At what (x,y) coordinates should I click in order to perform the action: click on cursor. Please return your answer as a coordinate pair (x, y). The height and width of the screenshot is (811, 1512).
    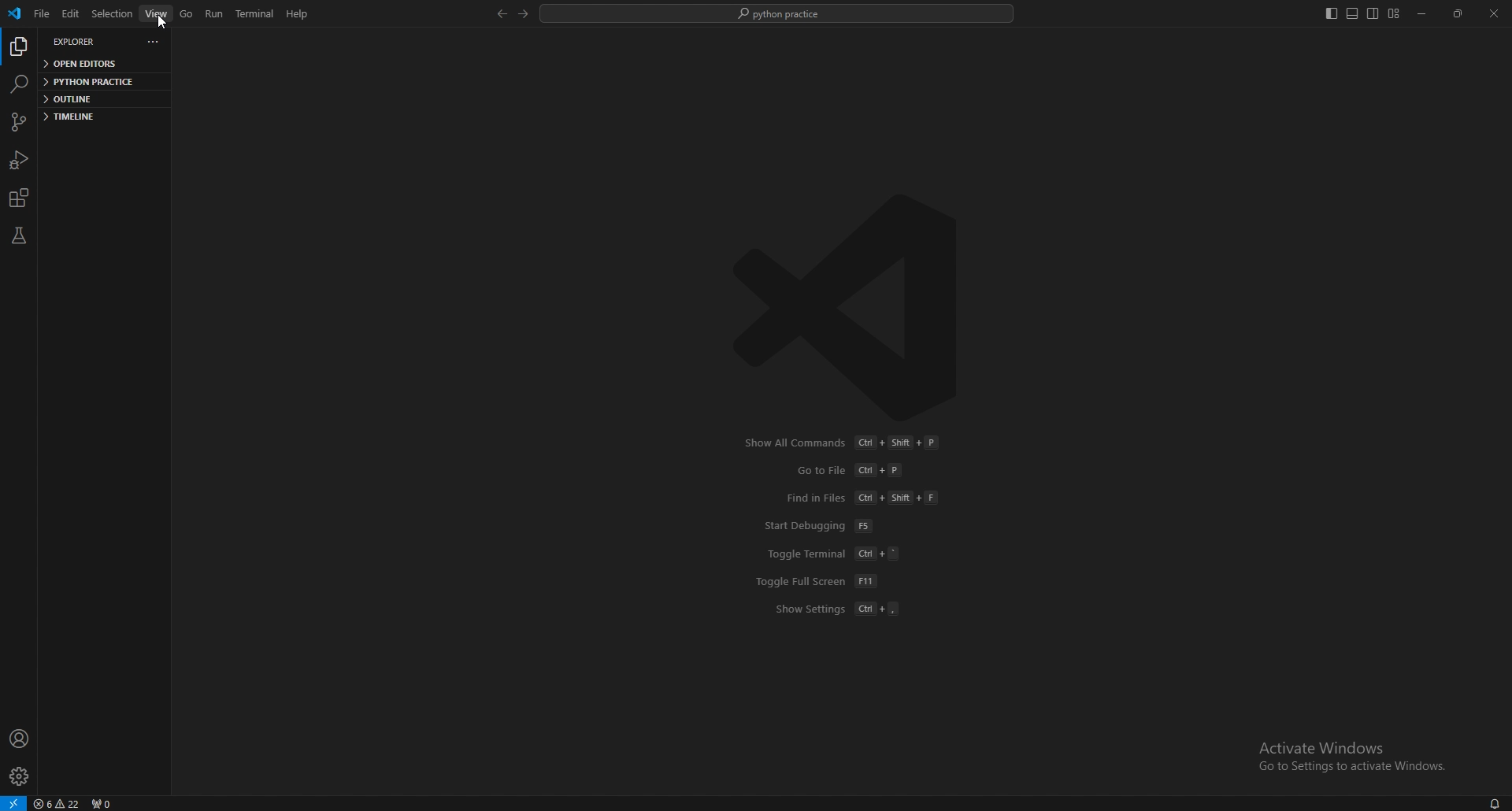
    Looking at the image, I should click on (158, 24).